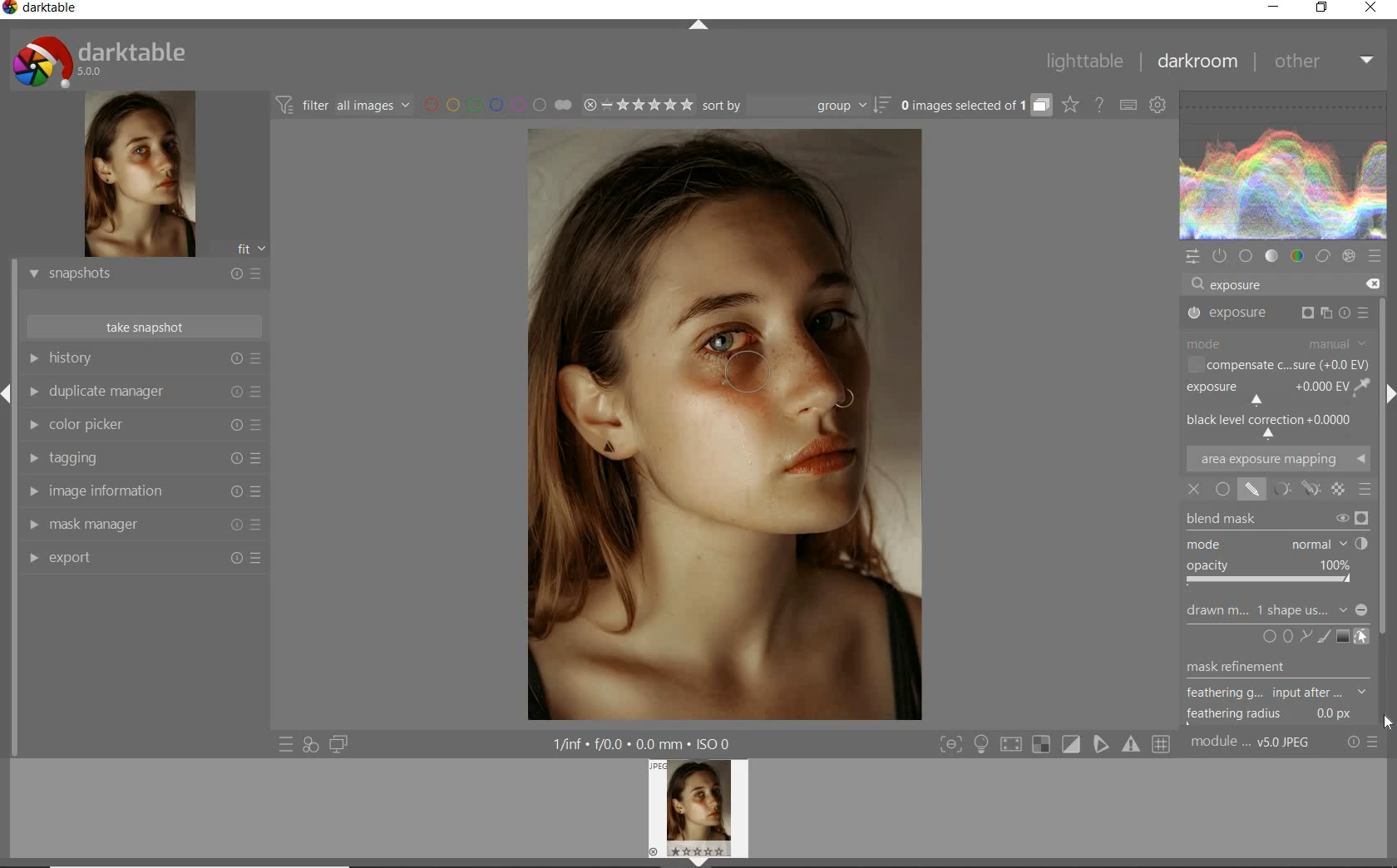 Image resolution: width=1397 pixels, height=868 pixels. What do you see at coordinates (1219, 257) in the screenshot?
I see `show only active modules` at bounding box center [1219, 257].